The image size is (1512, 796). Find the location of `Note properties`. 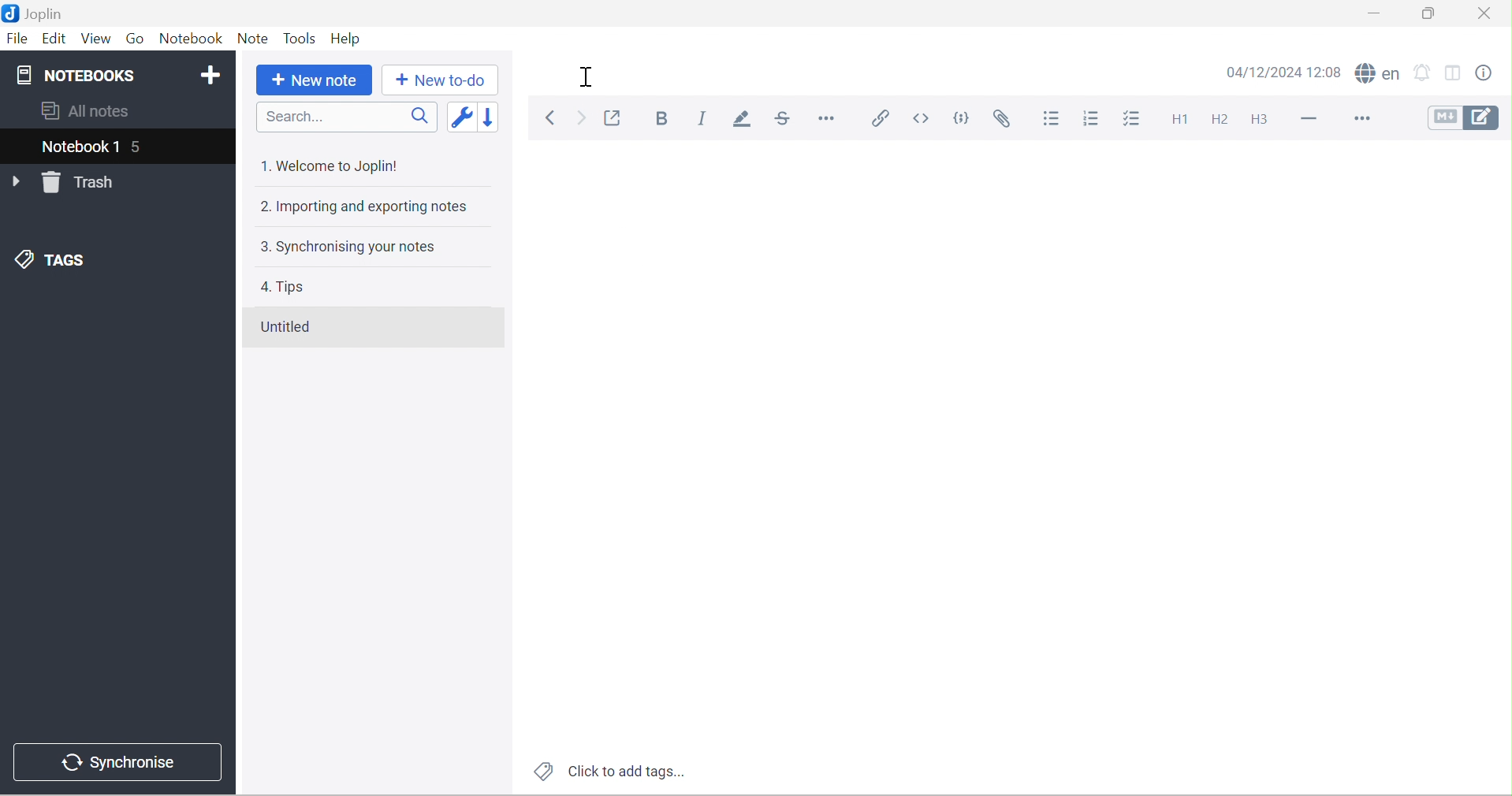

Note properties is located at coordinates (1494, 70).